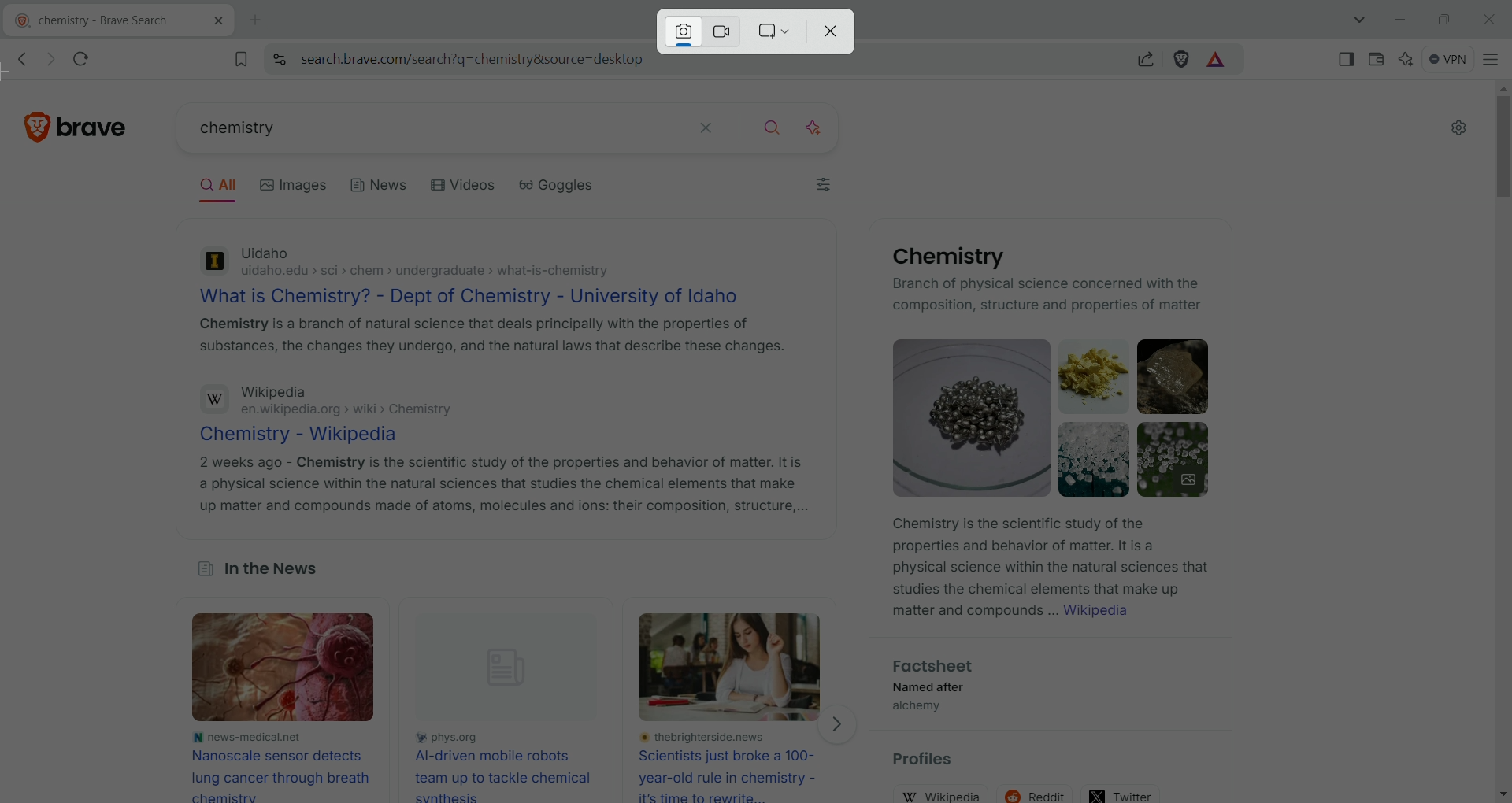 This screenshot has height=803, width=1512. I want to click on close, so click(836, 32).